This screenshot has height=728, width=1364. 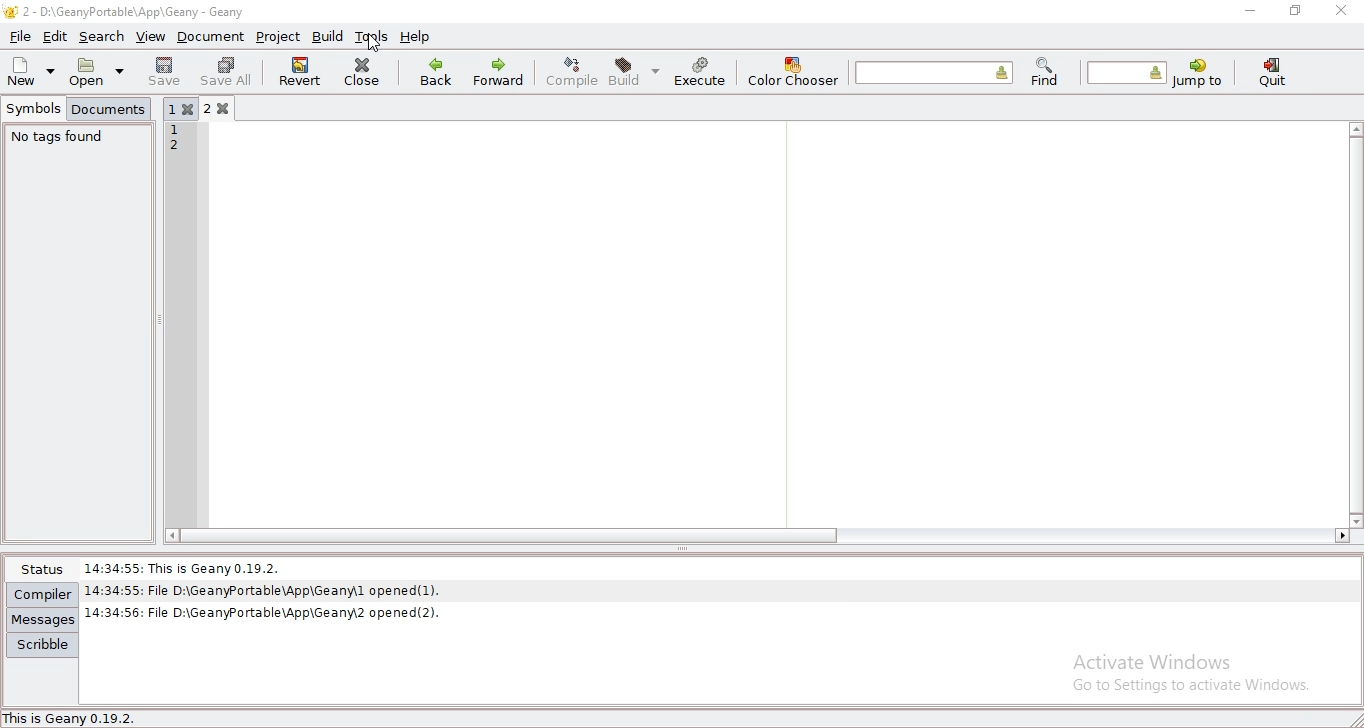 I want to click on This is Geany 0.19.2, so click(x=76, y=718).